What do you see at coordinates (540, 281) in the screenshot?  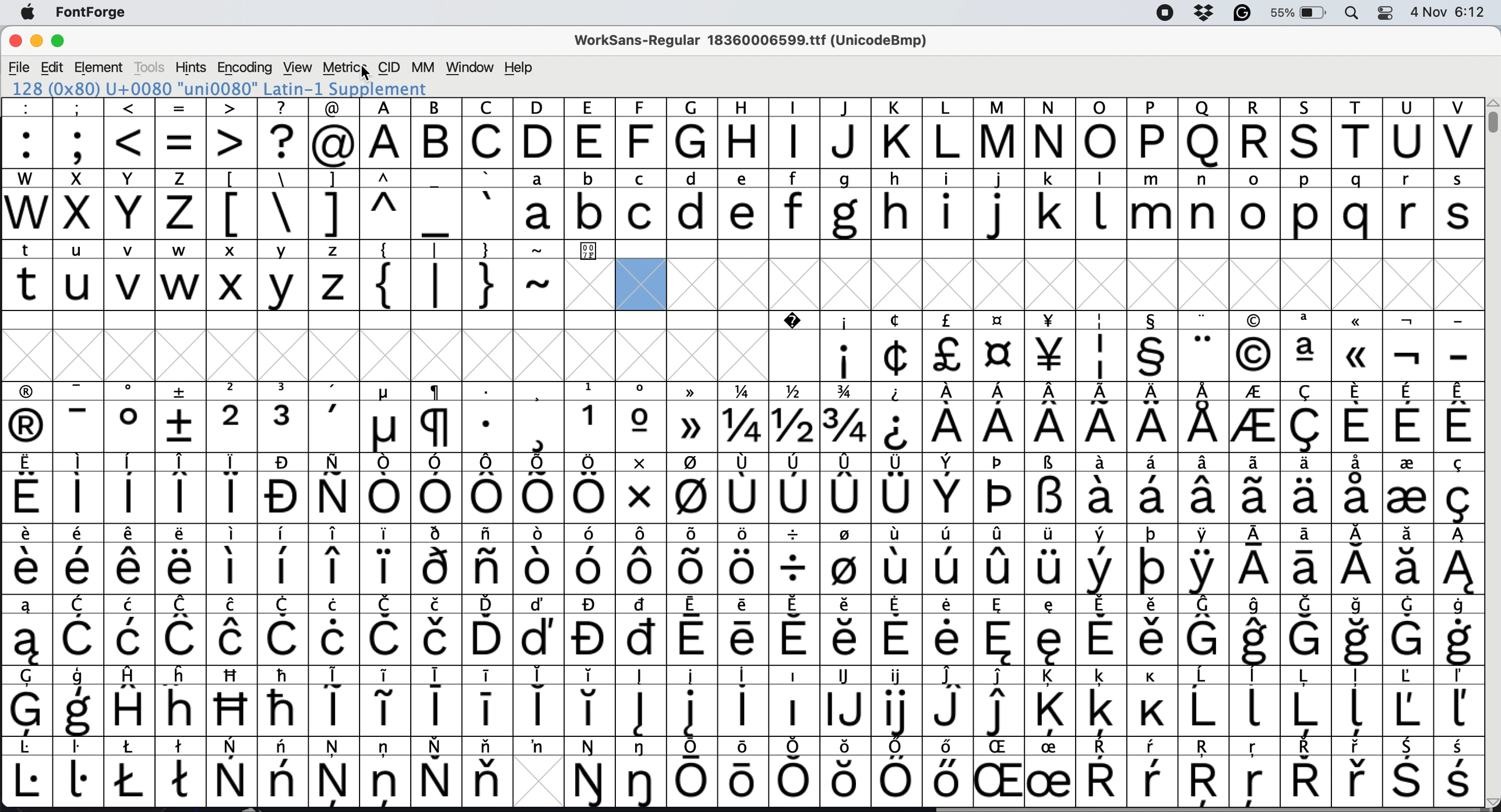 I see `~` at bounding box center [540, 281].